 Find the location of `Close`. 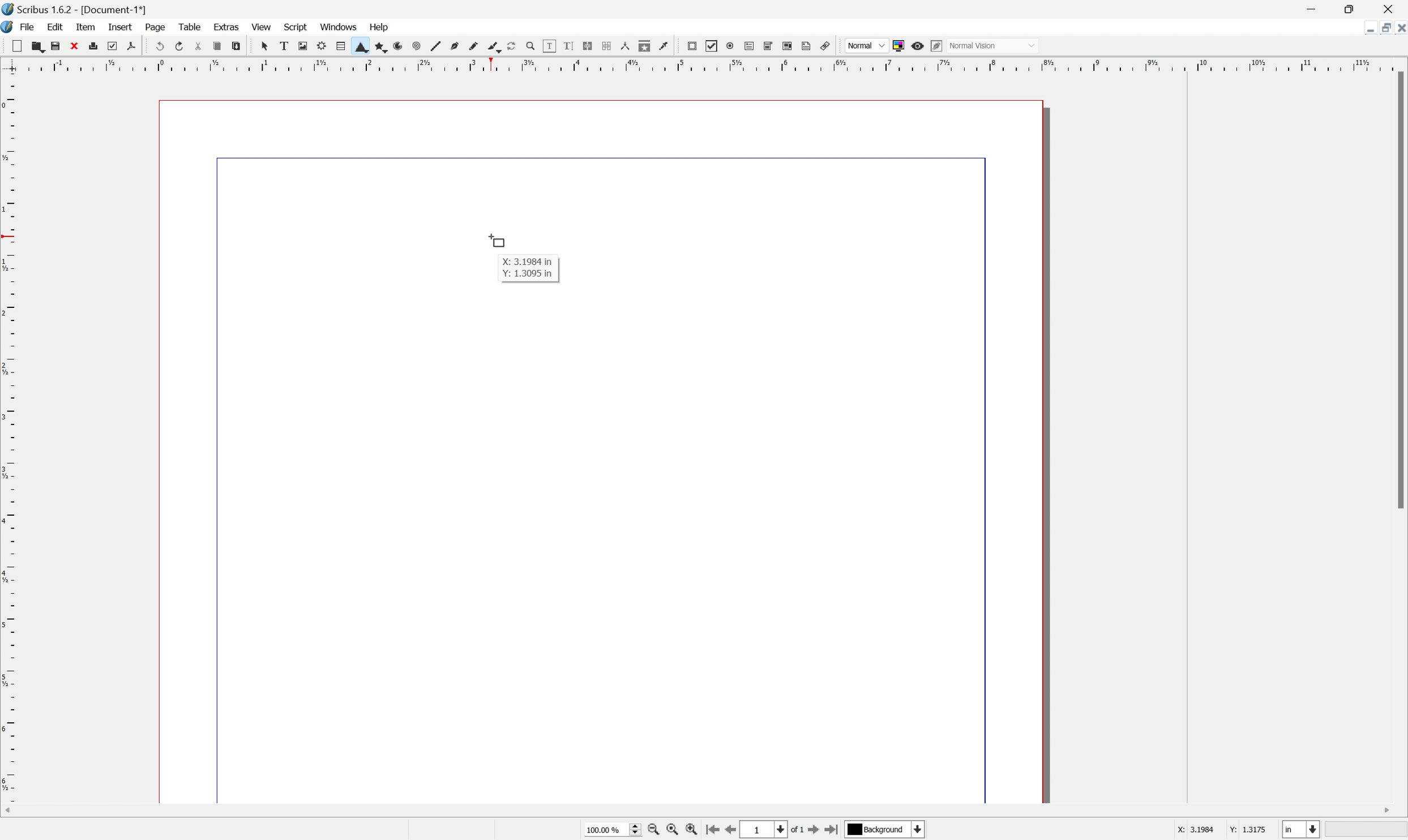

Close is located at coordinates (1388, 10).